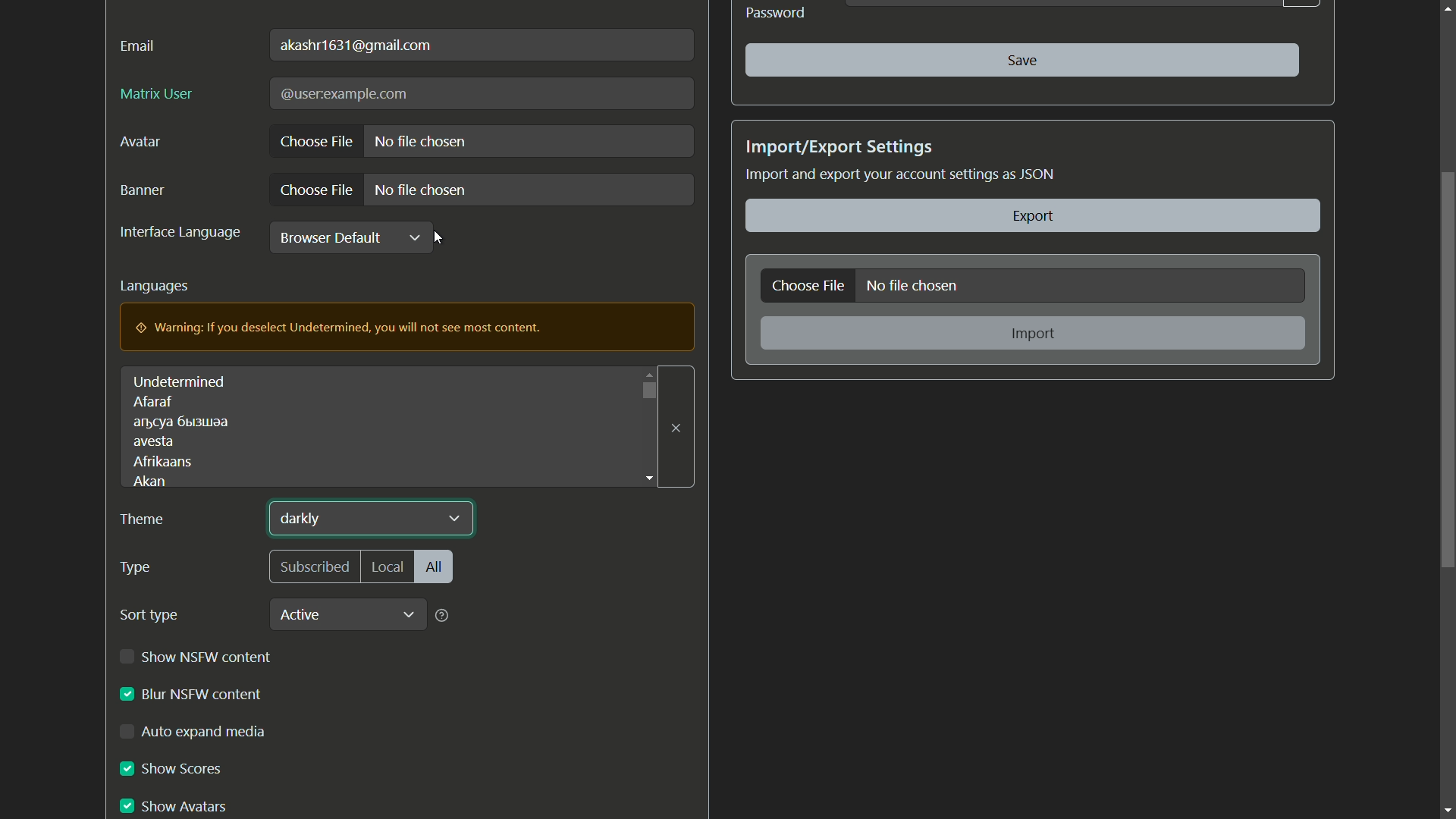  I want to click on browser default, so click(331, 237).